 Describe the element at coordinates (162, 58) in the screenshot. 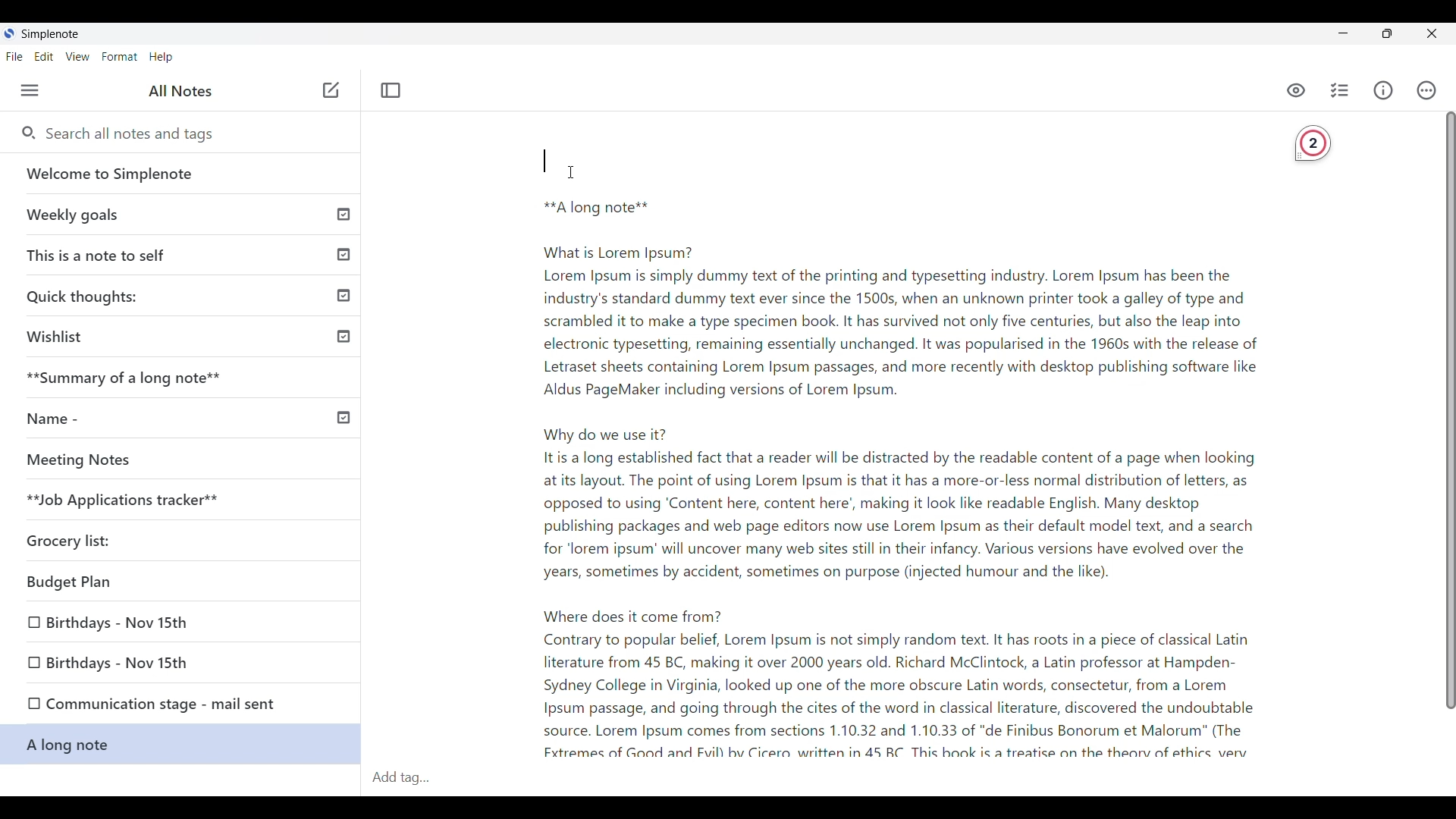

I see `Help` at that location.